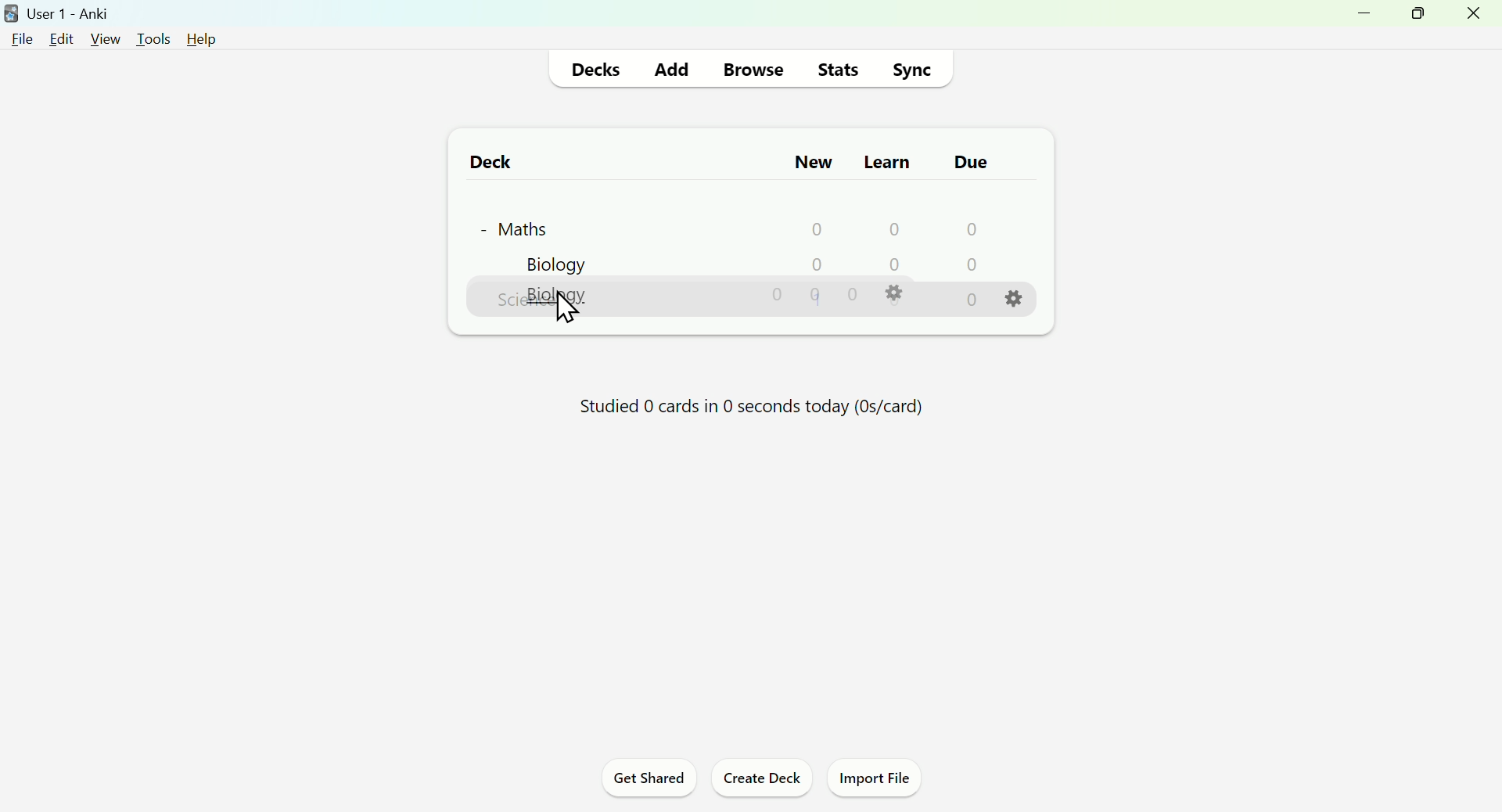 The height and width of the screenshot is (812, 1502). Describe the element at coordinates (972, 303) in the screenshot. I see `0` at that location.